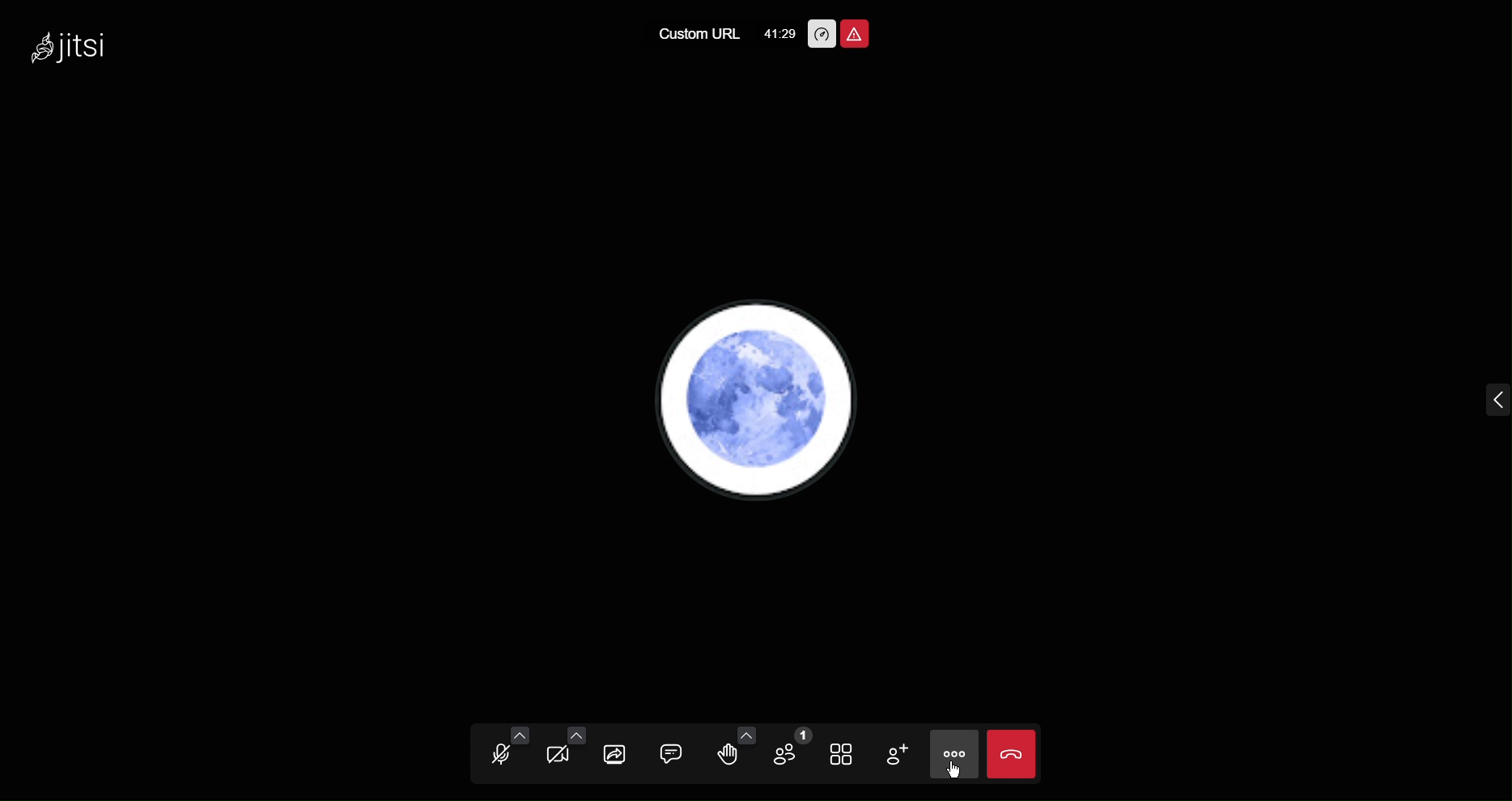 The image size is (1512, 801). What do you see at coordinates (501, 751) in the screenshot?
I see `Audio` at bounding box center [501, 751].